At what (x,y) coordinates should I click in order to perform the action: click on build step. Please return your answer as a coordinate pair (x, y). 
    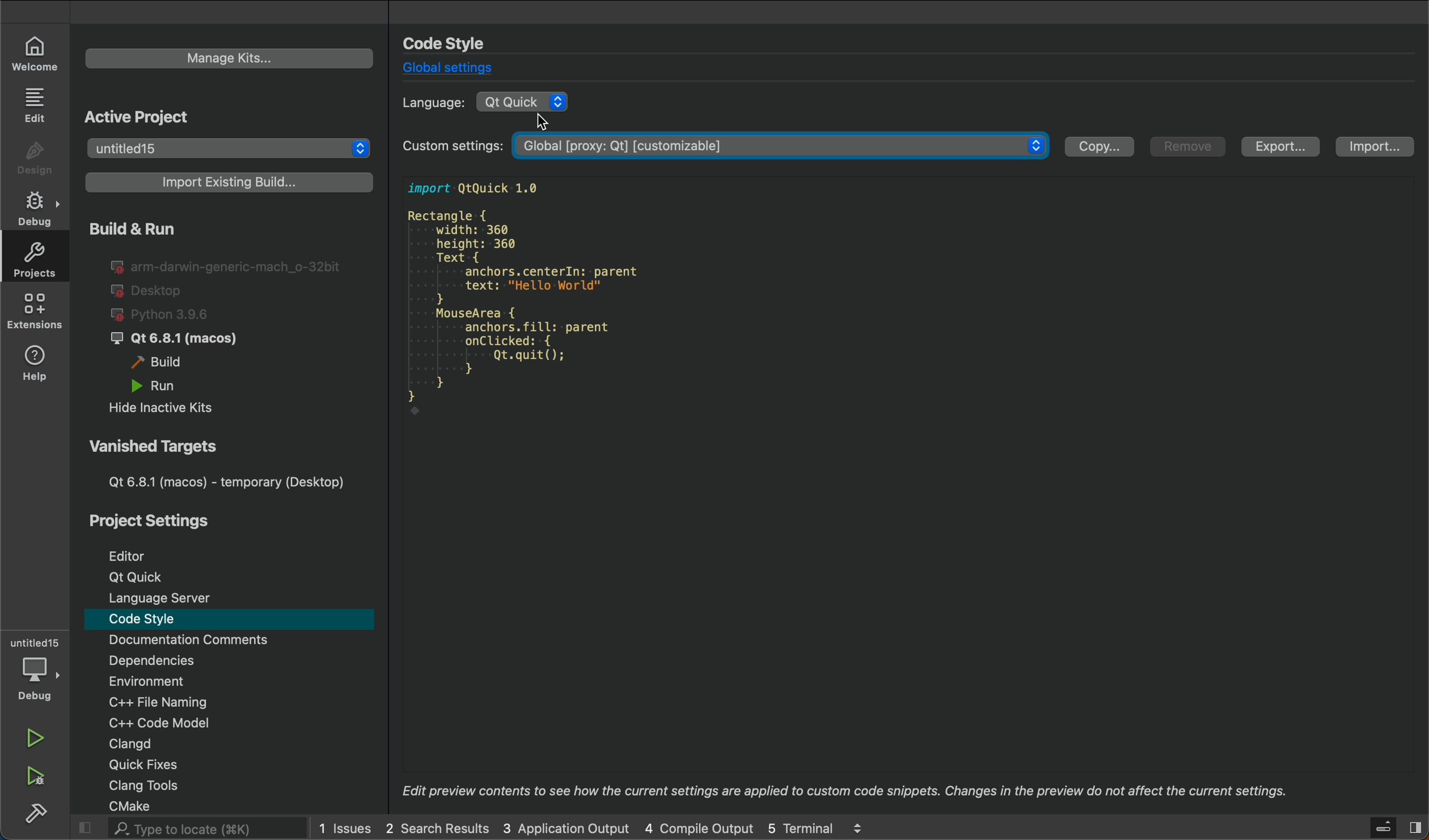
    Looking at the image, I should click on (900, 603).